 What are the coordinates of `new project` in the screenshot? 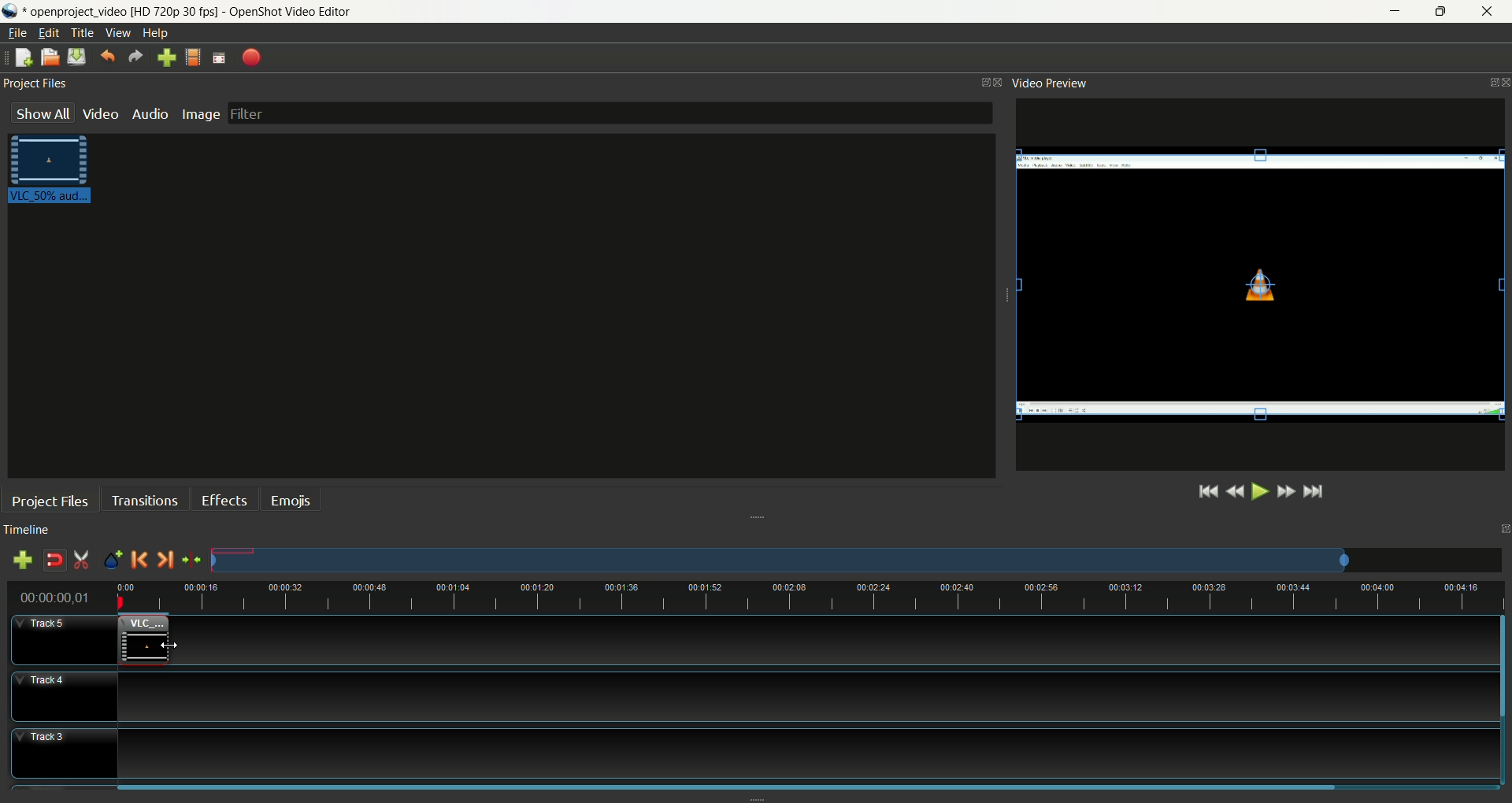 It's located at (24, 59).